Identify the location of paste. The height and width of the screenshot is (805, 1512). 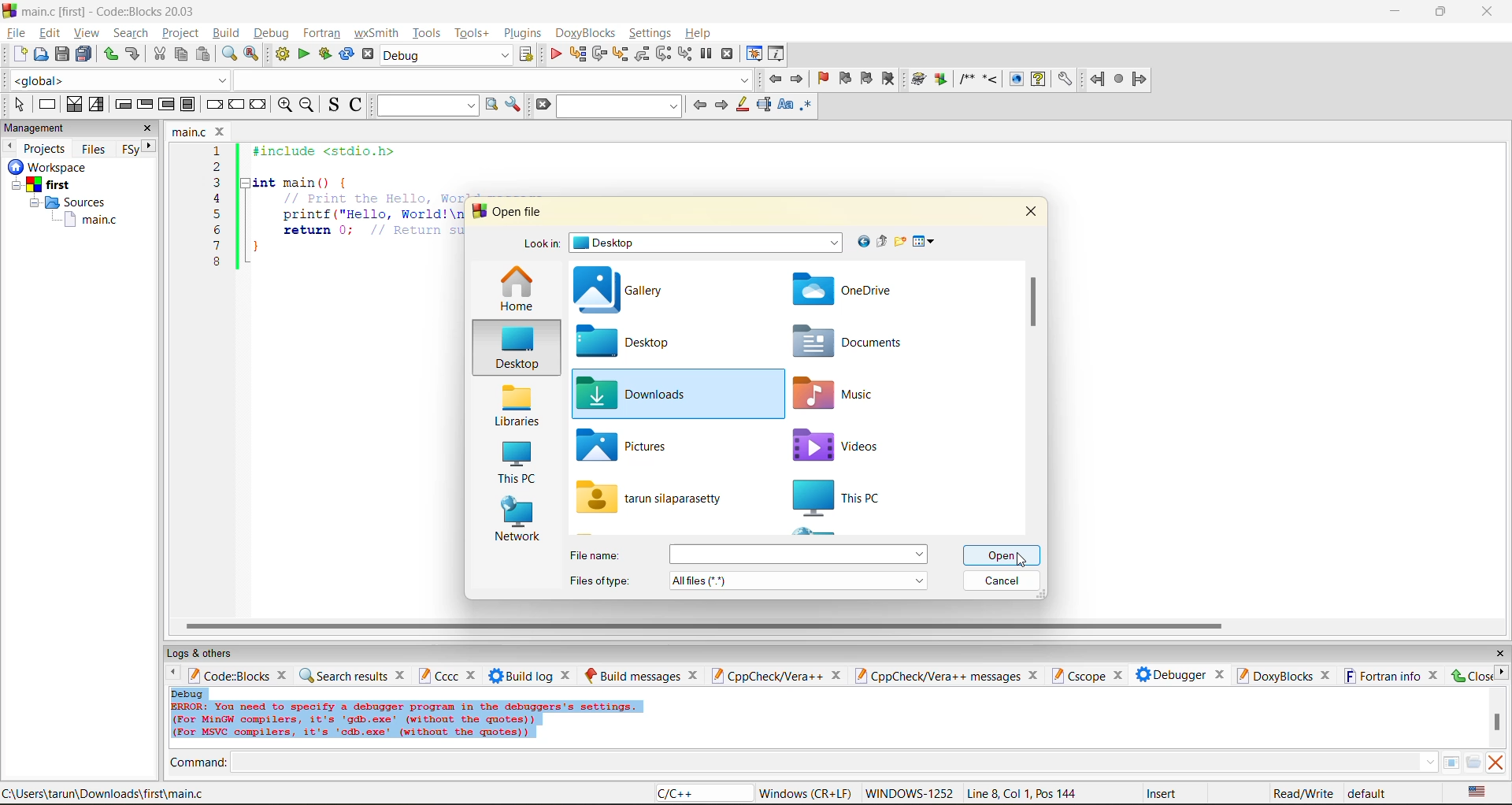
(203, 54).